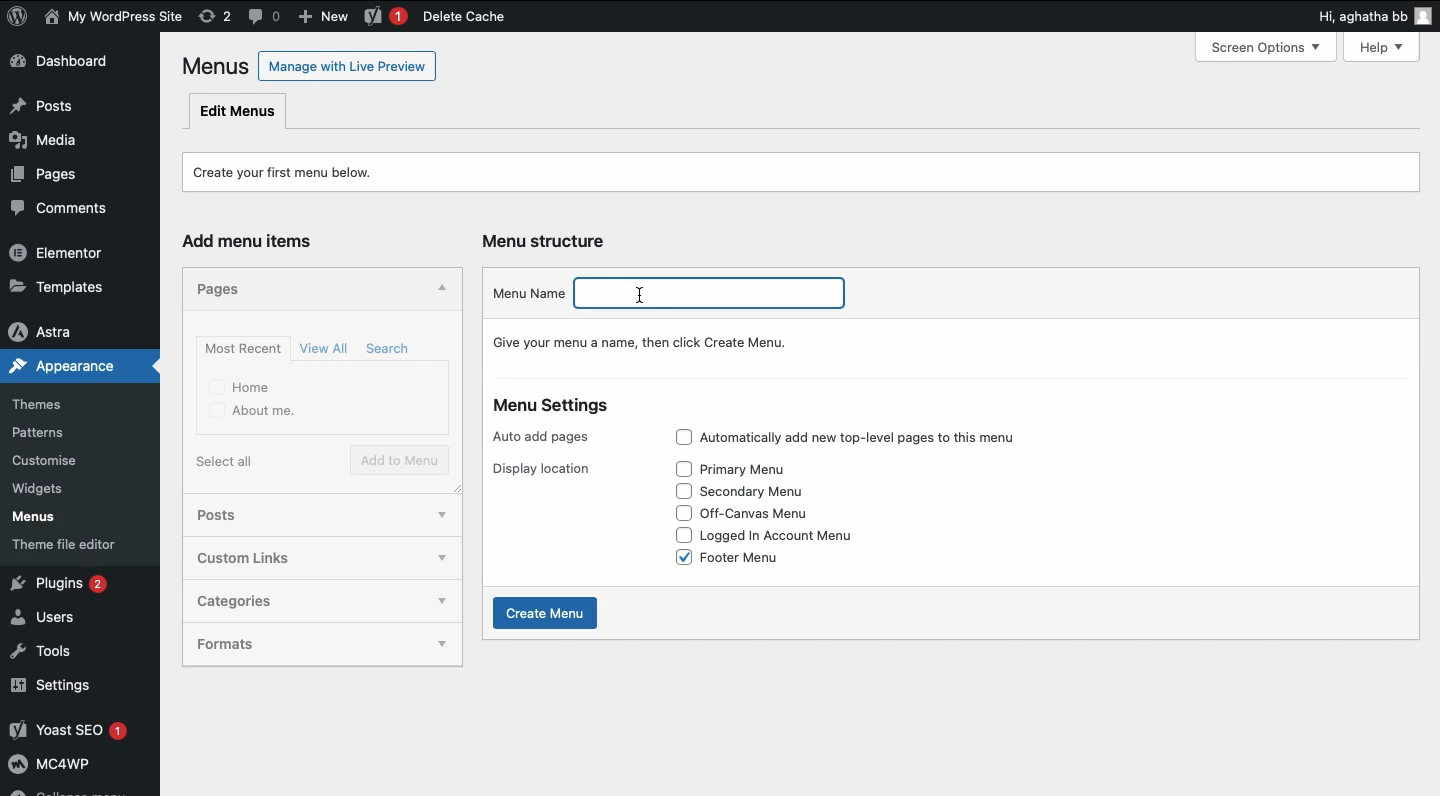 The width and height of the screenshot is (1440, 796). What do you see at coordinates (881, 434) in the screenshot?
I see `Automatically add top level pages to this menu` at bounding box center [881, 434].